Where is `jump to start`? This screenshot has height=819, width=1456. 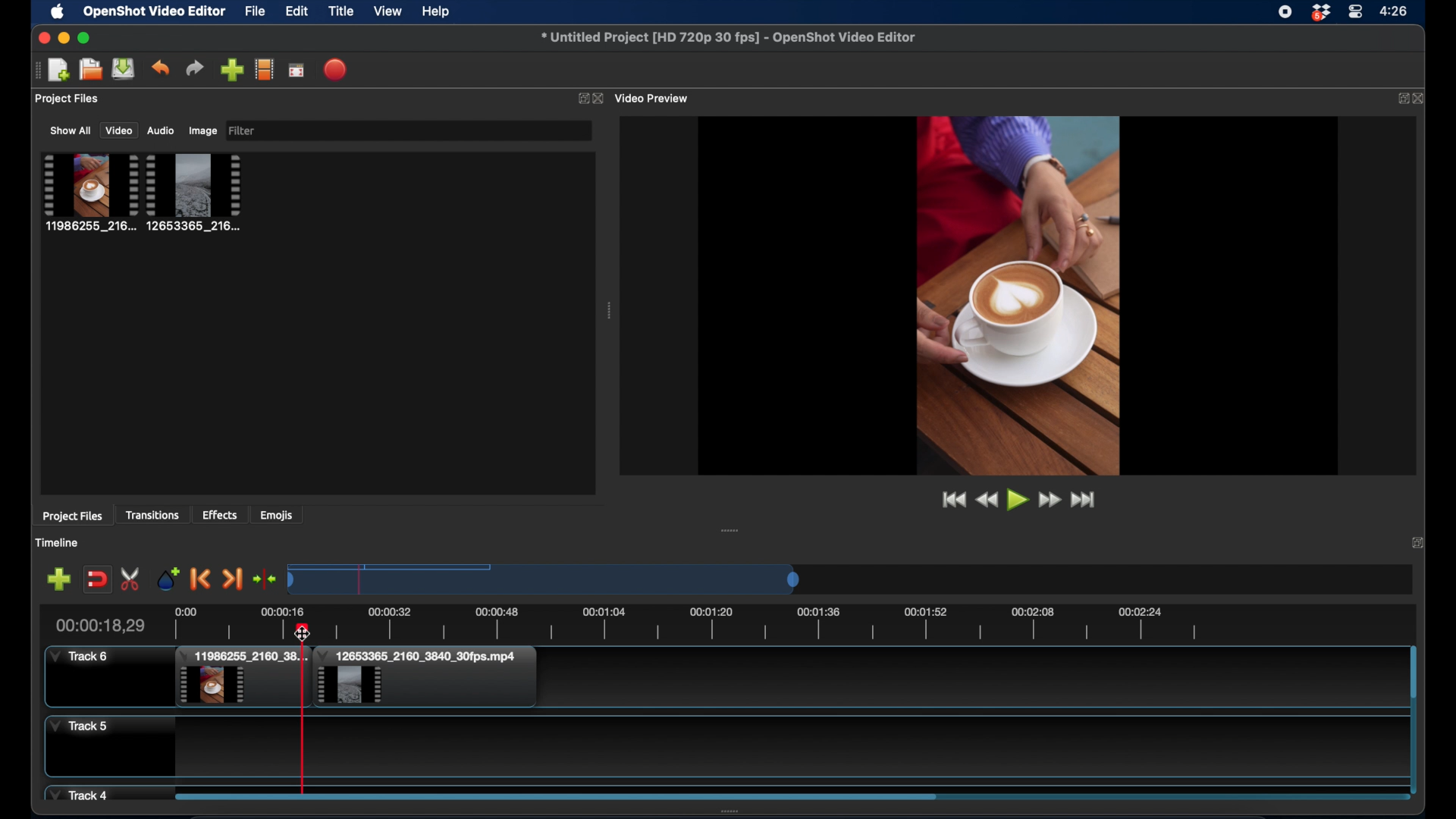
jump to start is located at coordinates (951, 499).